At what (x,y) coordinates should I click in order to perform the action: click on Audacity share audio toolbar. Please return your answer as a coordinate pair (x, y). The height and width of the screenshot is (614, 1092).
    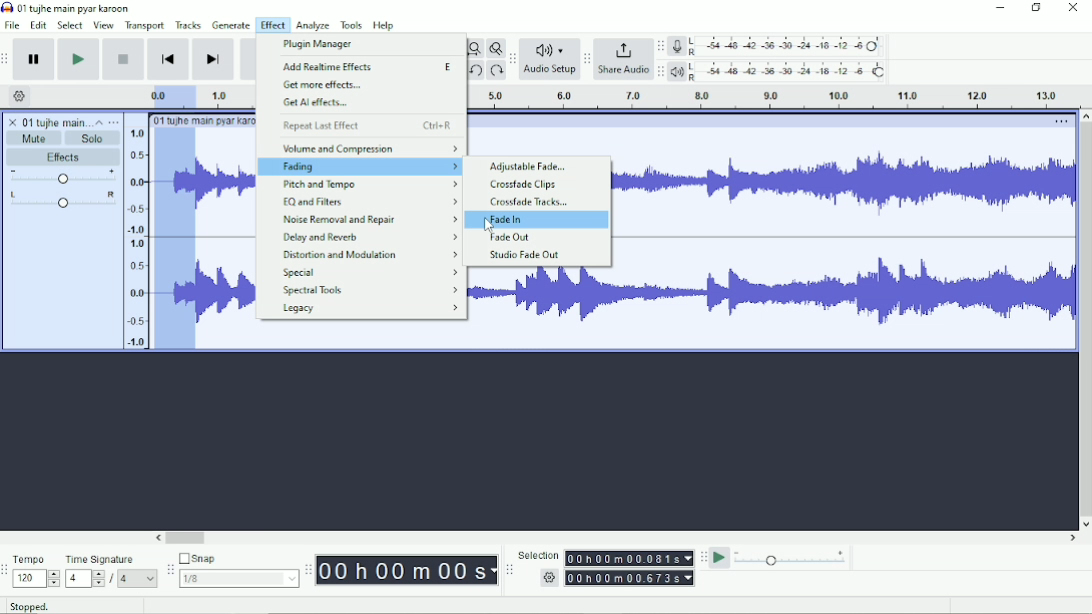
    Looking at the image, I should click on (587, 60).